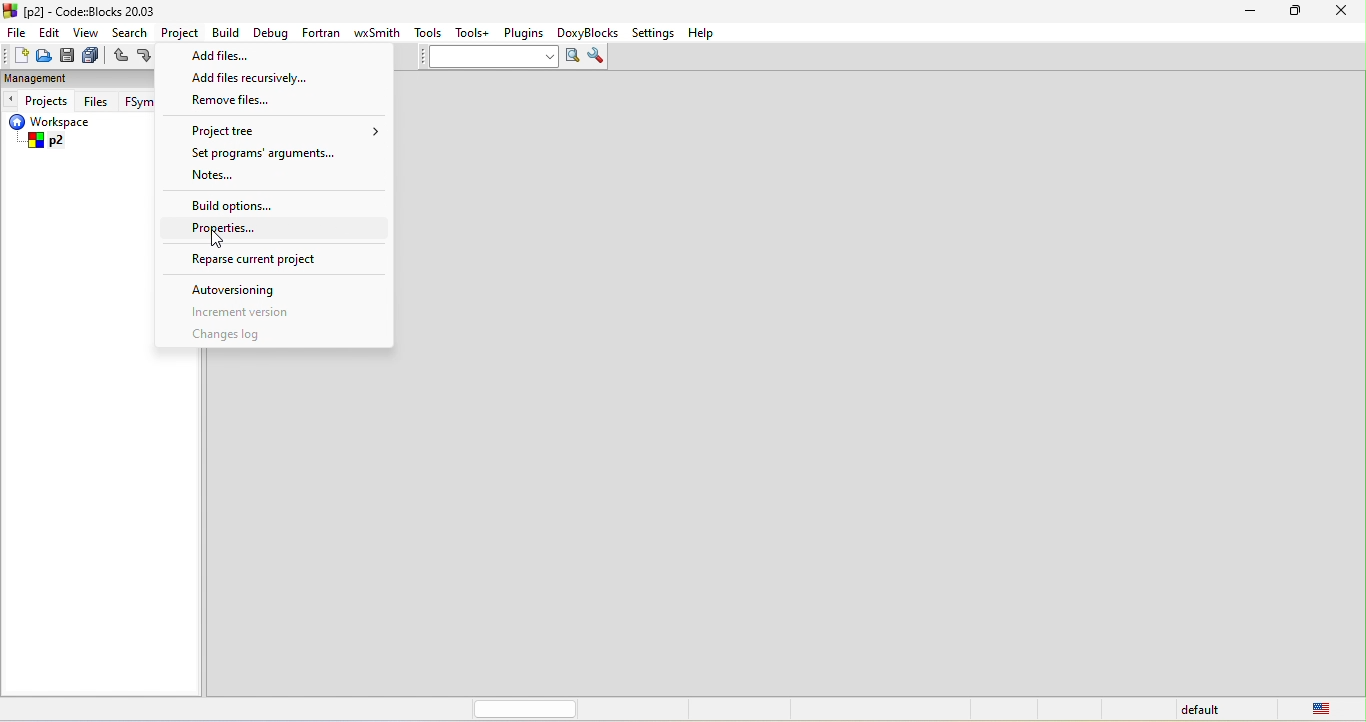 The image size is (1366, 722). I want to click on save everything, so click(94, 55).